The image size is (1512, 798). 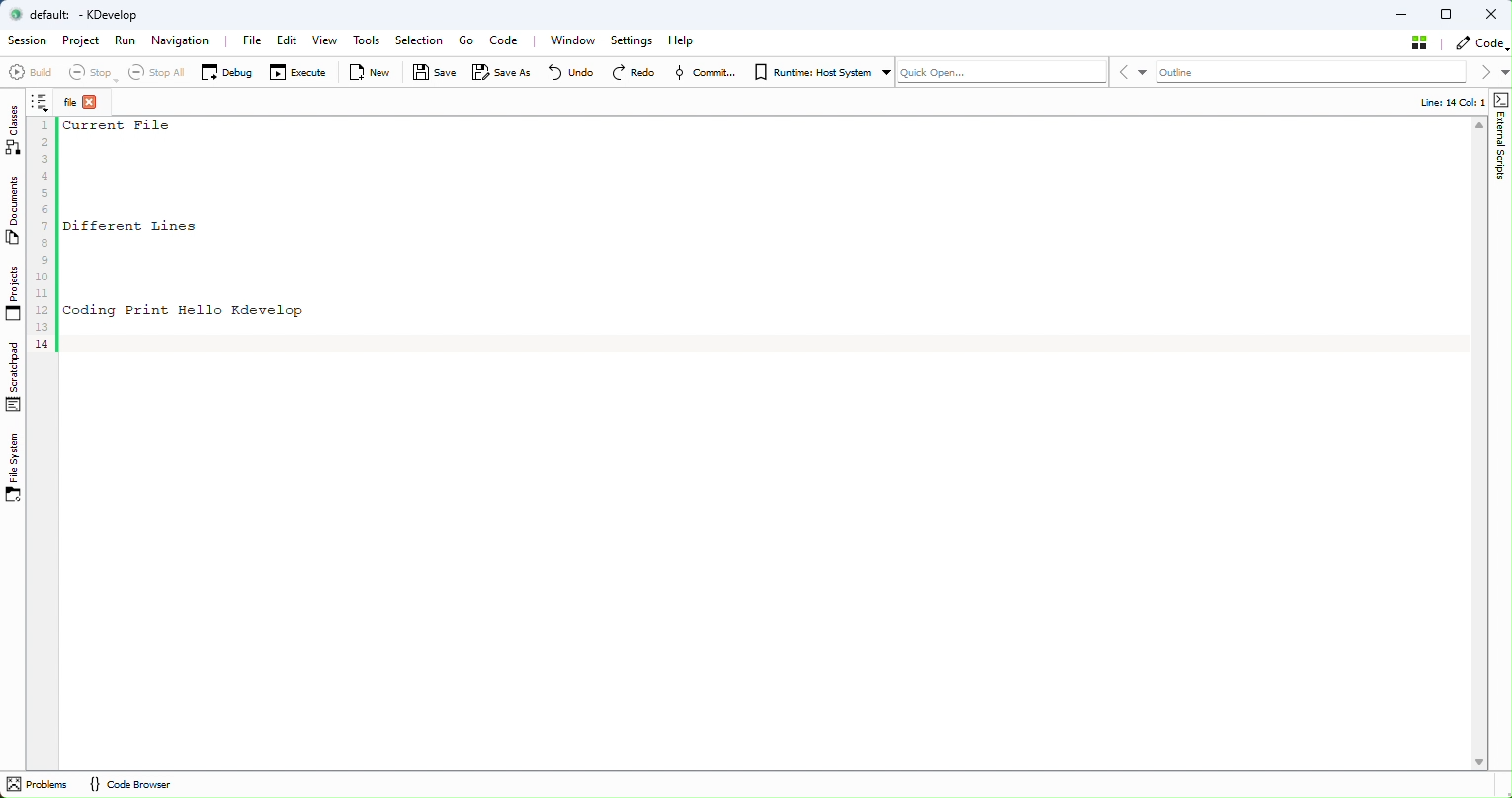 I want to click on Runtime, so click(x=819, y=70).